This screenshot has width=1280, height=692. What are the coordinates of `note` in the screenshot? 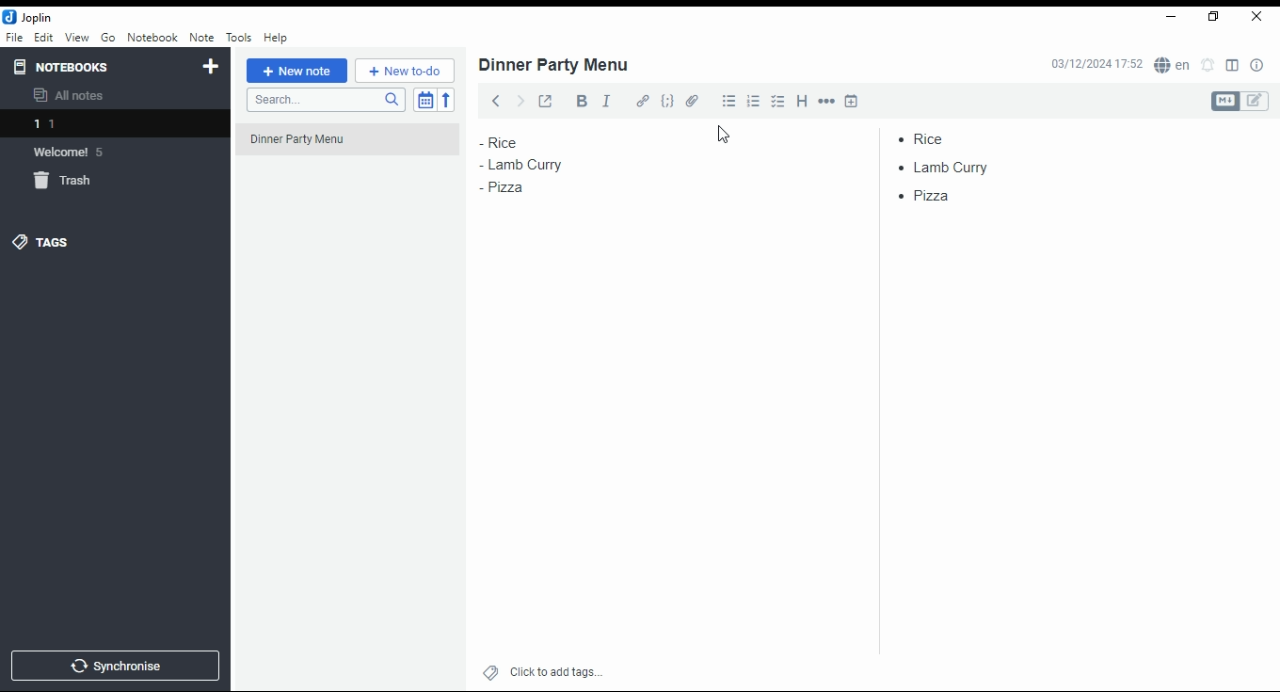 It's located at (200, 38).